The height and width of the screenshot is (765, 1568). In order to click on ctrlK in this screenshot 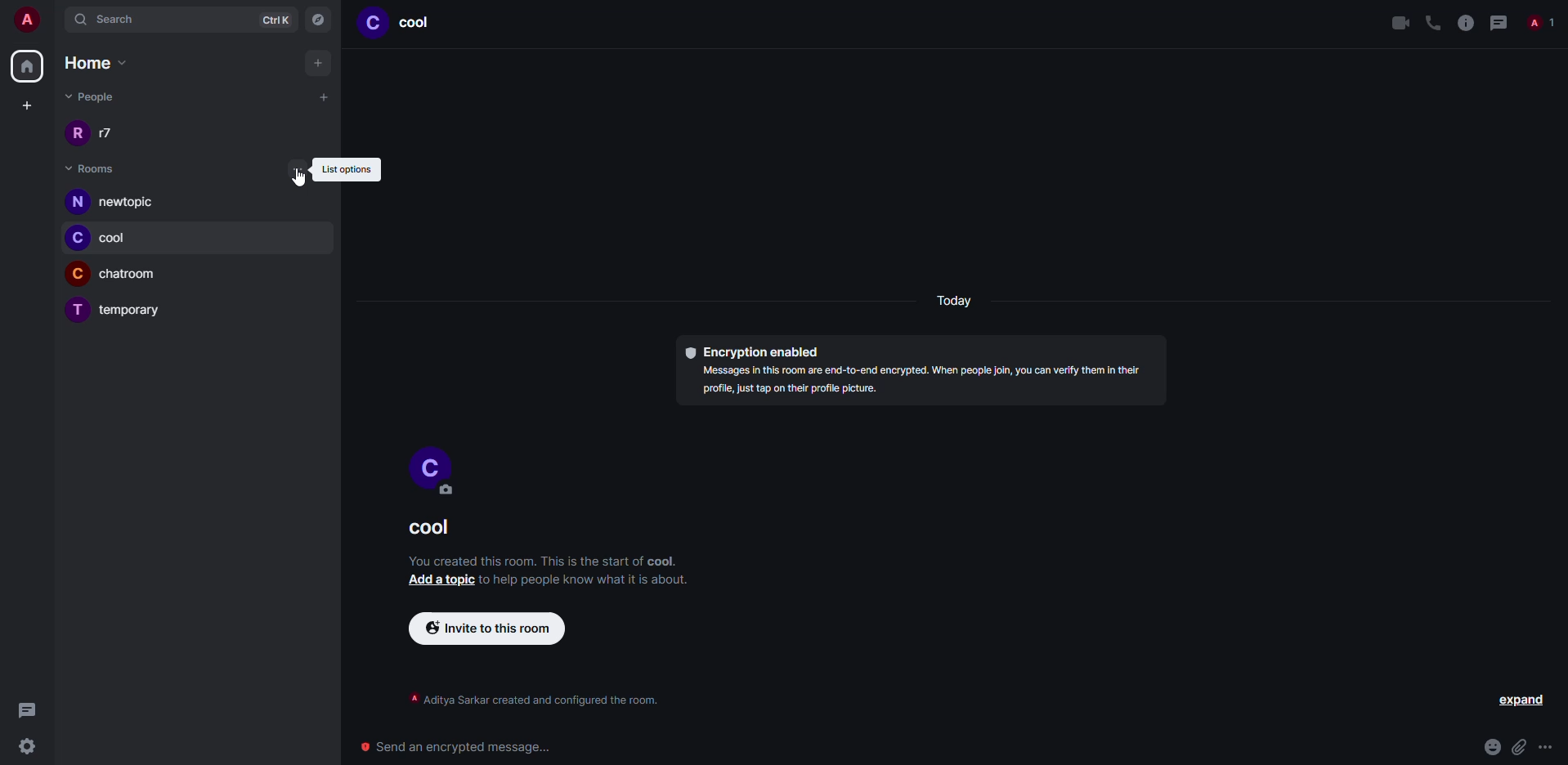, I will do `click(271, 20)`.